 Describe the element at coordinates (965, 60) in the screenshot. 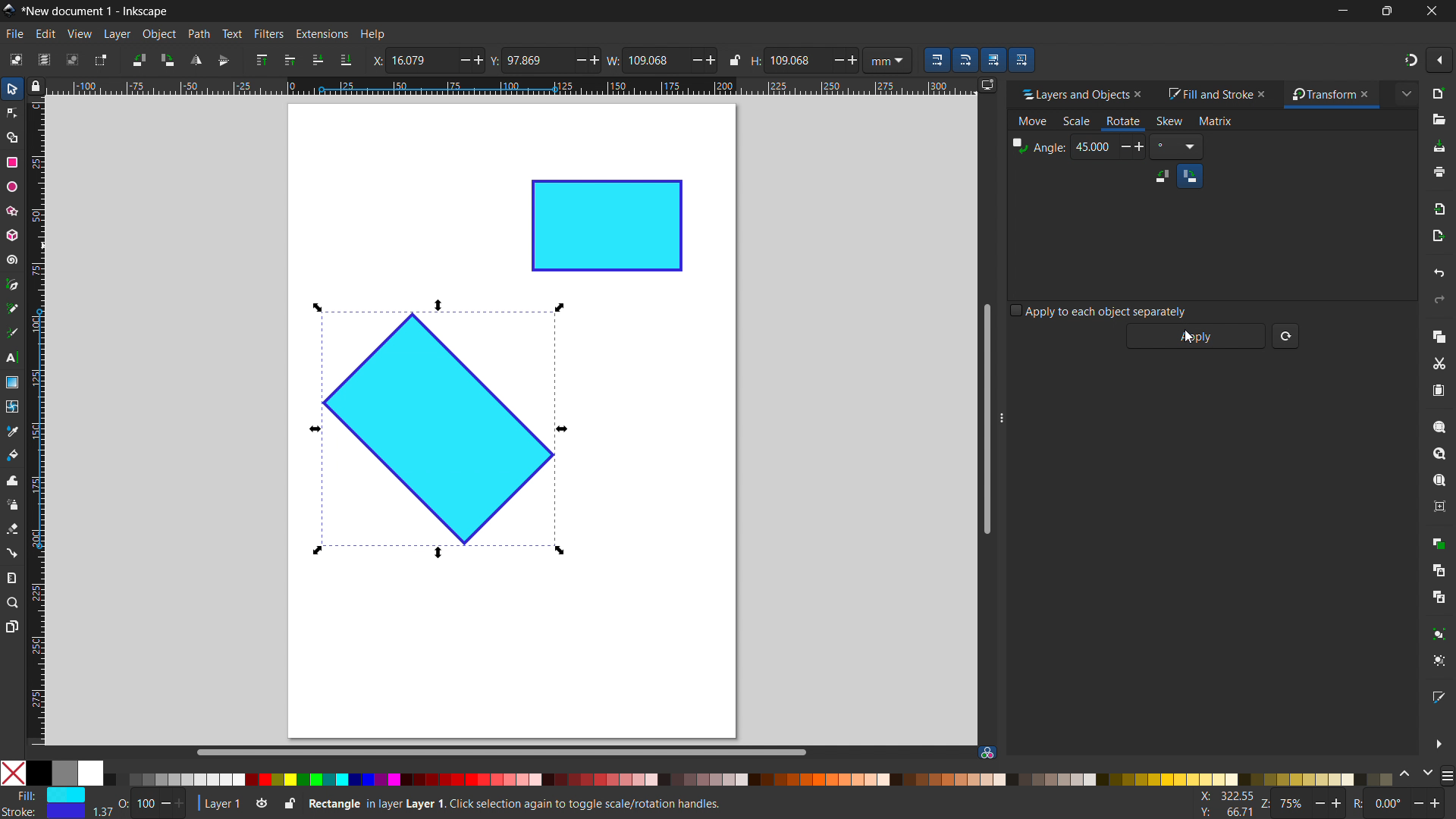

I see `when scaling rectangle, scale the radii of the rounded corners` at that location.